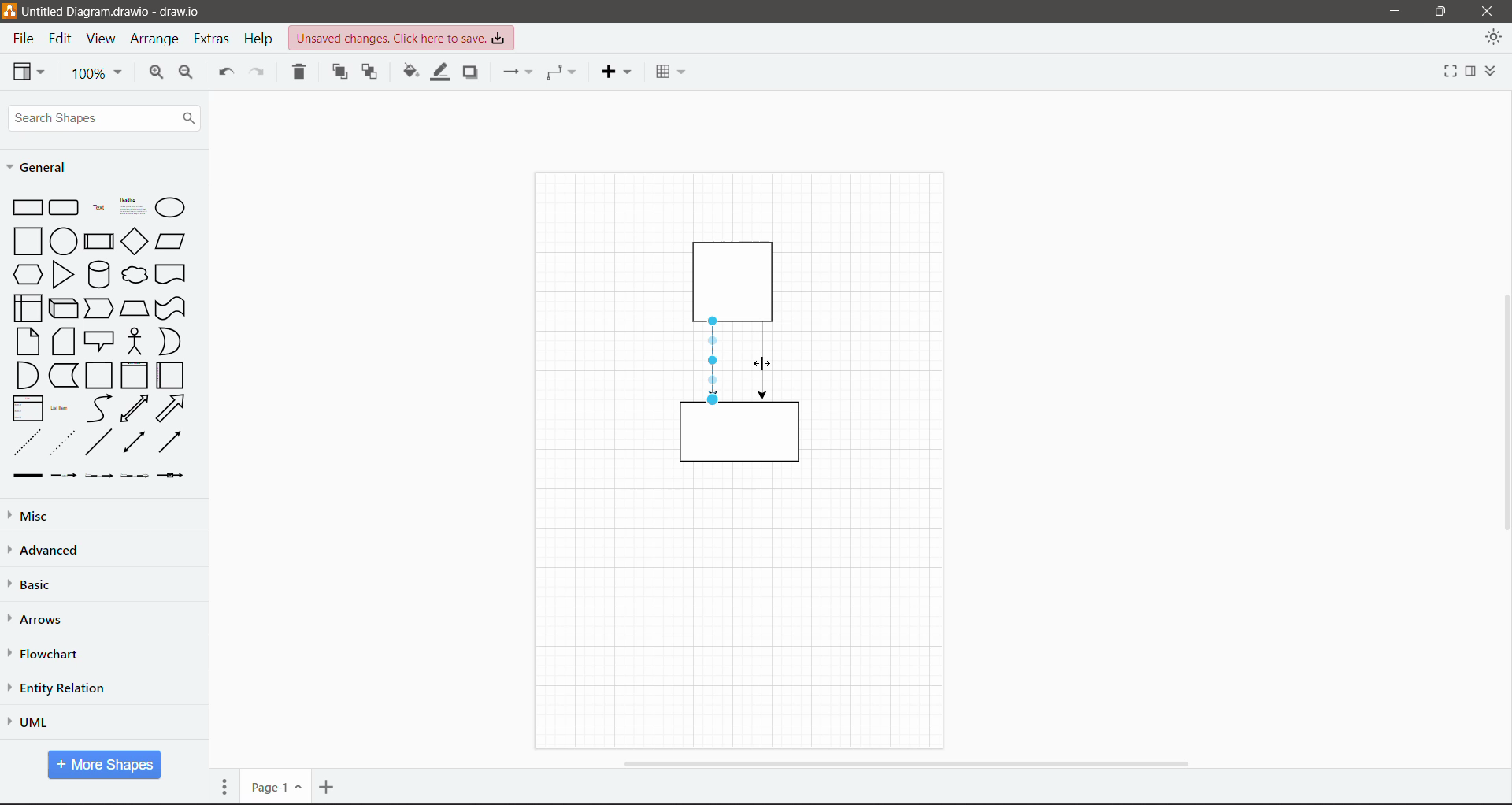 The image size is (1512, 805). What do you see at coordinates (341, 72) in the screenshot?
I see `To Front` at bounding box center [341, 72].